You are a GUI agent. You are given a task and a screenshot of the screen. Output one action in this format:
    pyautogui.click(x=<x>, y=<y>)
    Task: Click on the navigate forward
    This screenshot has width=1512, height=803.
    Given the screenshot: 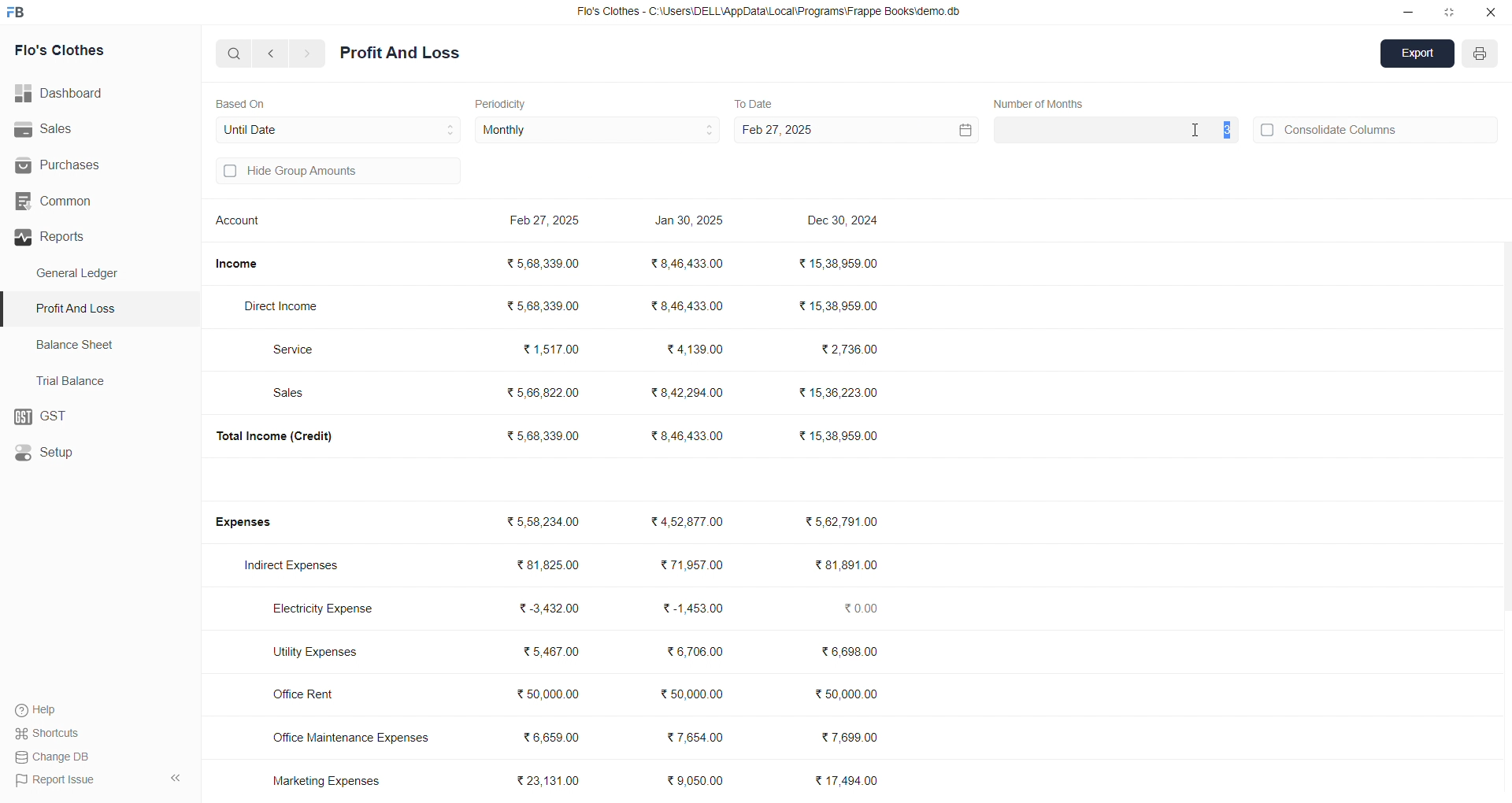 What is the action you would take?
    pyautogui.click(x=308, y=54)
    